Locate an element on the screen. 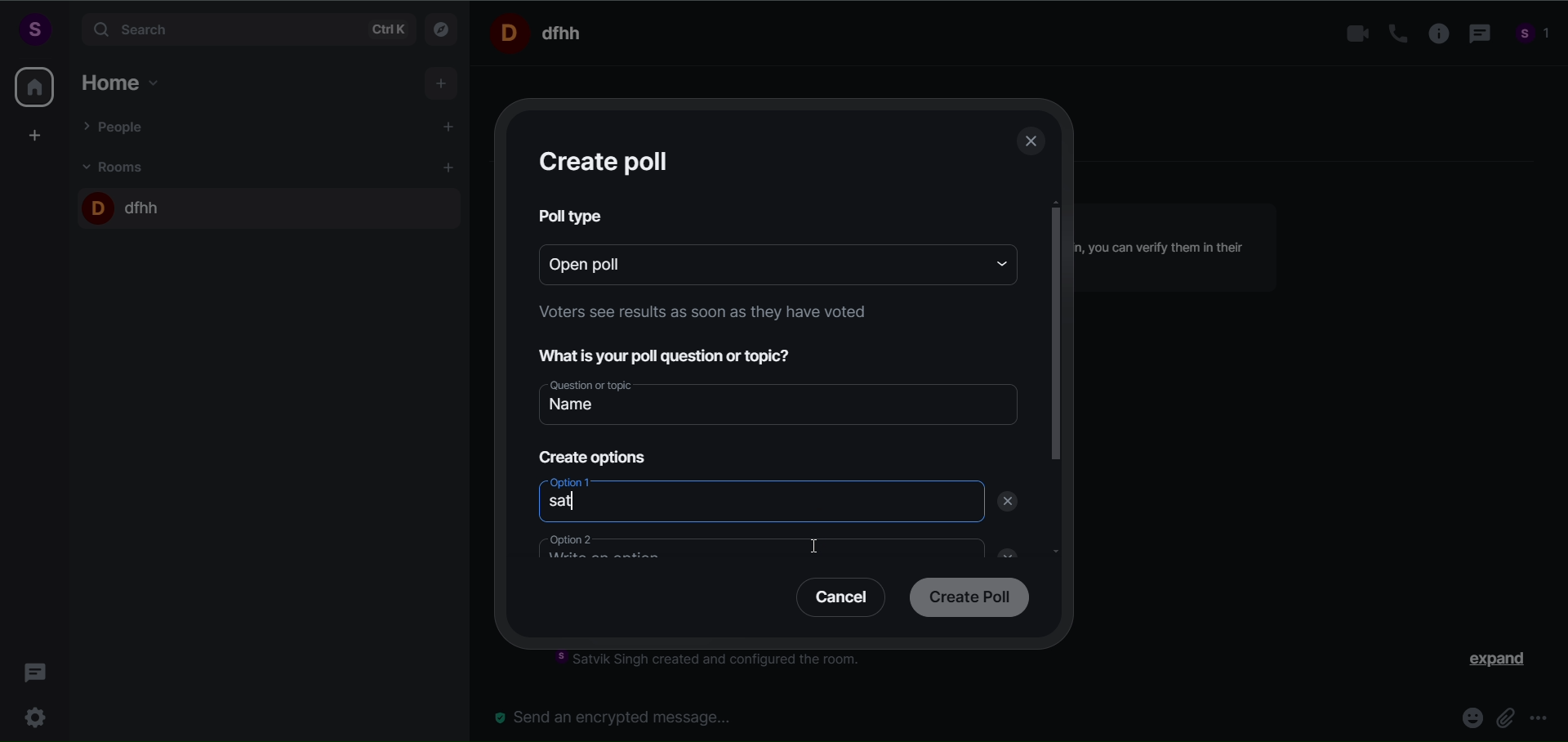 The image size is (1568, 742). call is located at coordinates (1392, 34).